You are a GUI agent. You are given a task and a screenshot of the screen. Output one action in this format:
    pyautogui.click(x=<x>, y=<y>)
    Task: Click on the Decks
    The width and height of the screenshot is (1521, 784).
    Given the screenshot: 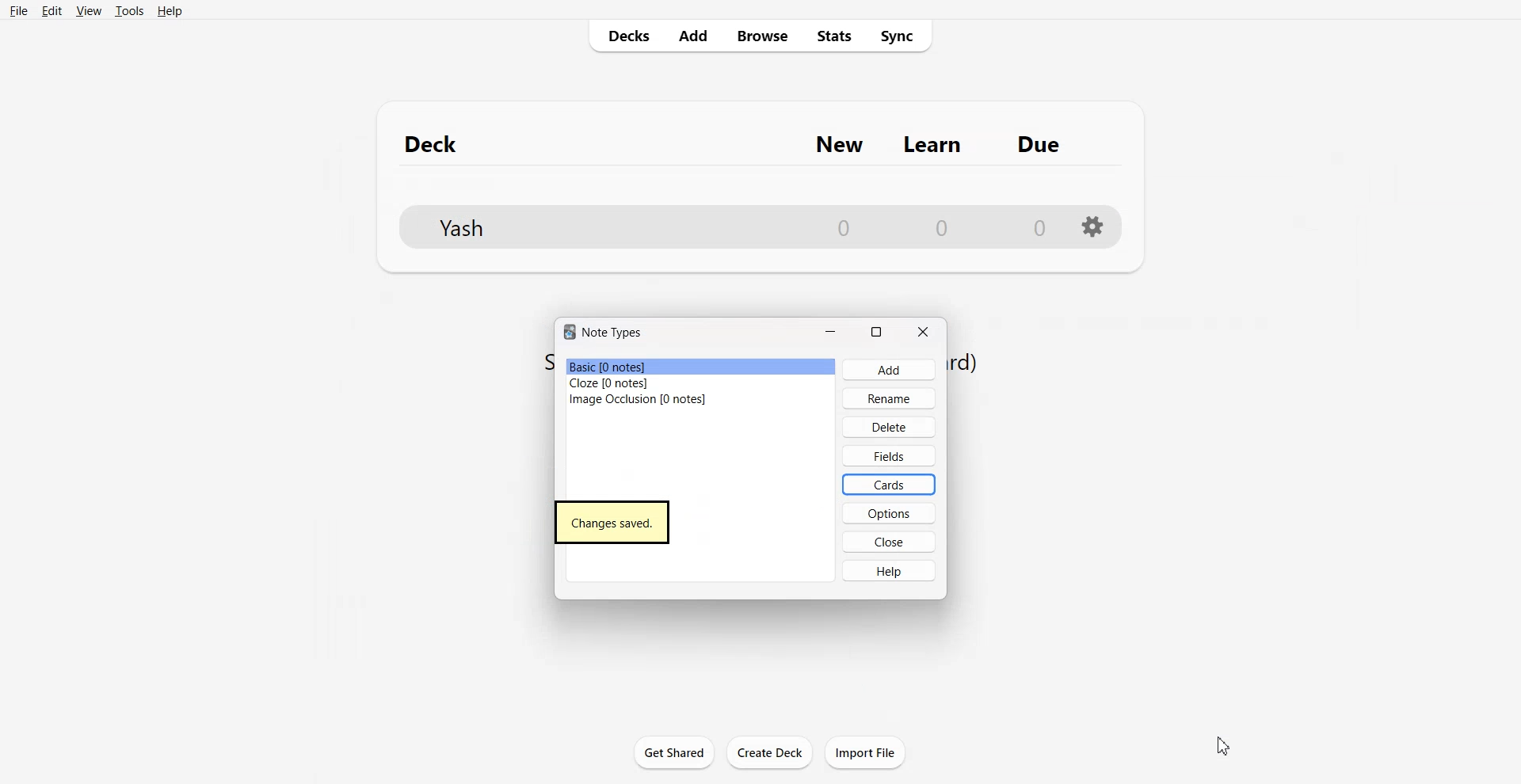 What is the action you would take?
    pyautogui.click(x=623, y=36)
    